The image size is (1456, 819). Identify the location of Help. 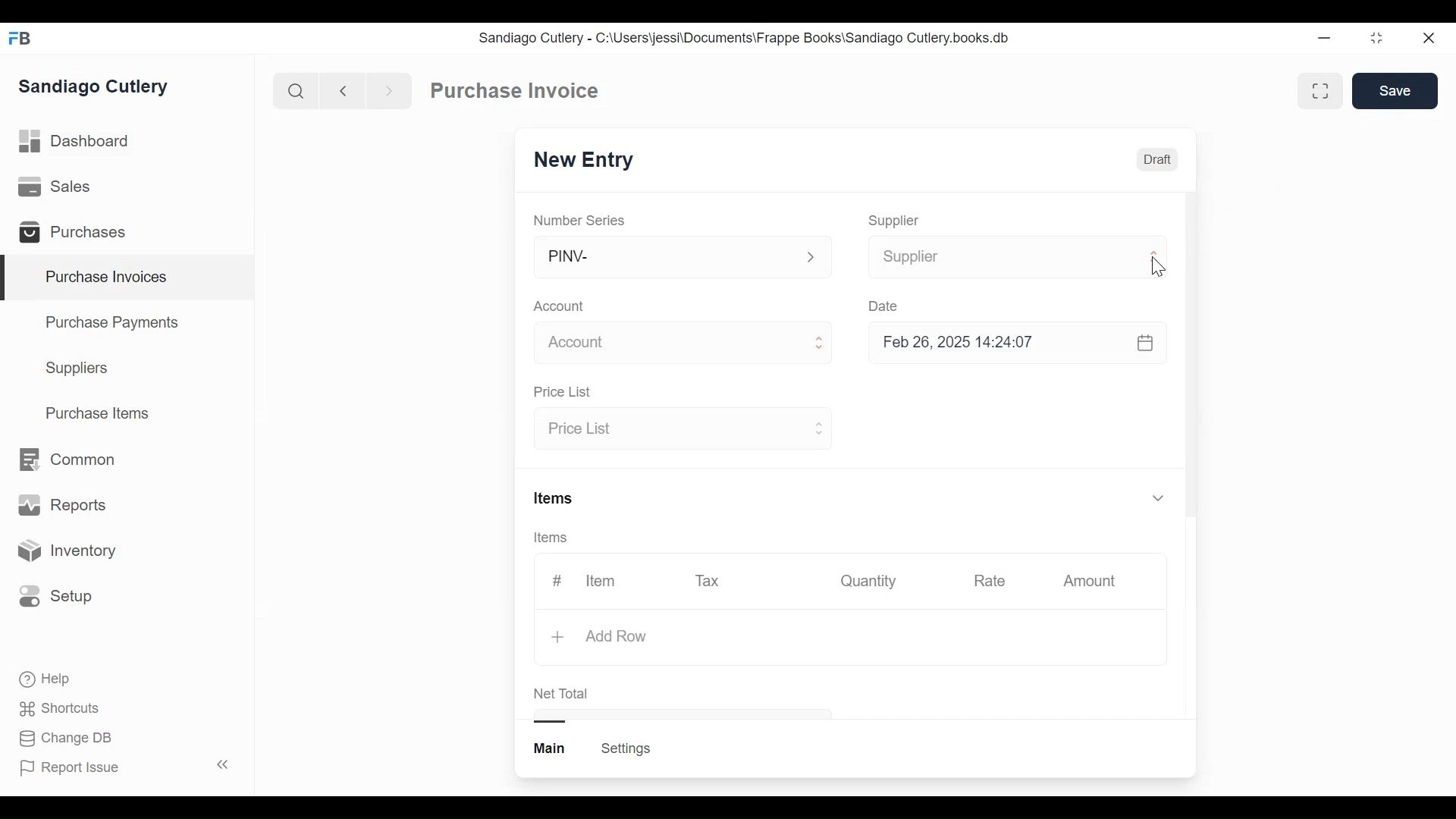
(46, 679).